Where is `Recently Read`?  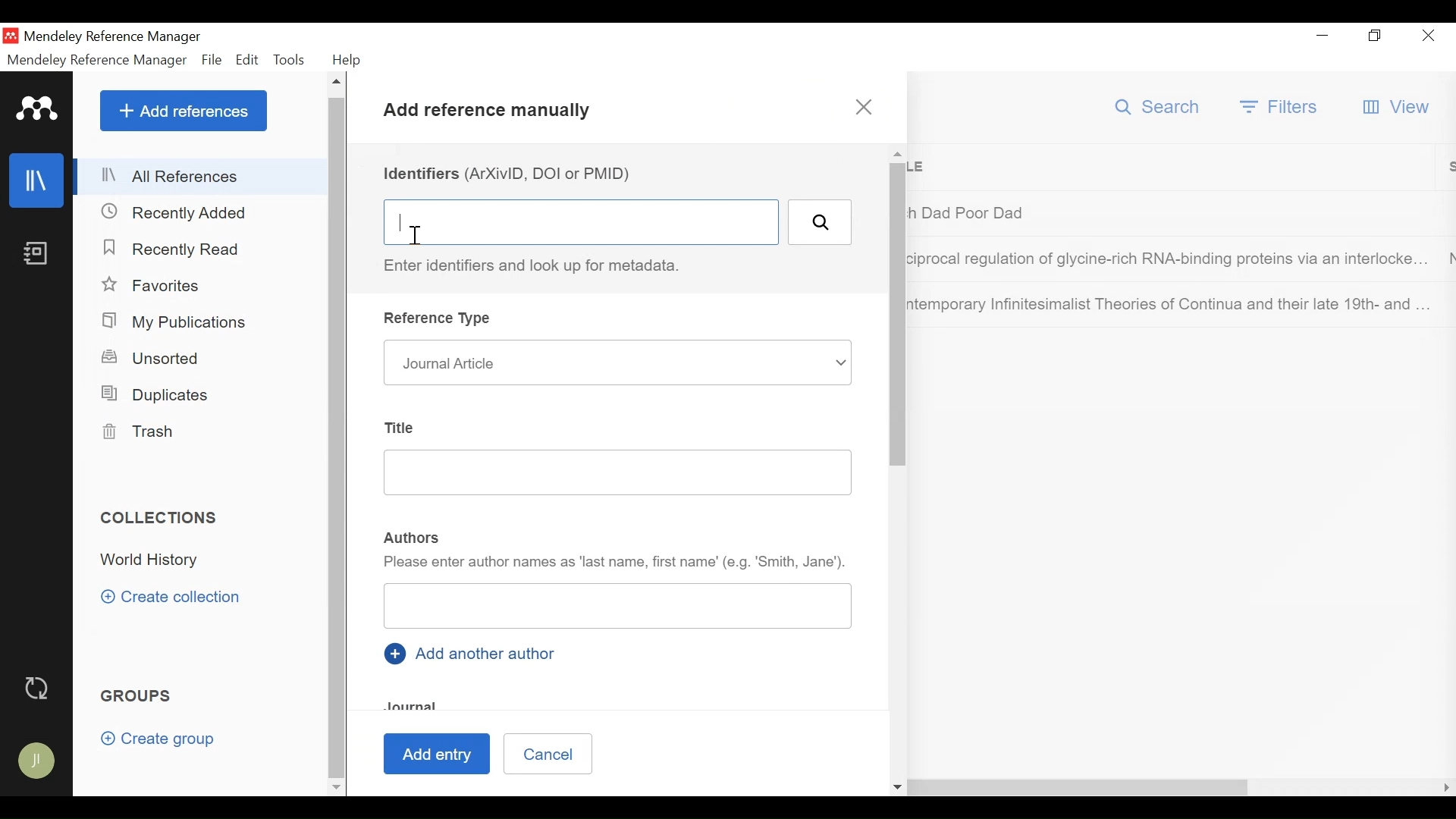
Recently Read is located at coordinates (180, 249).